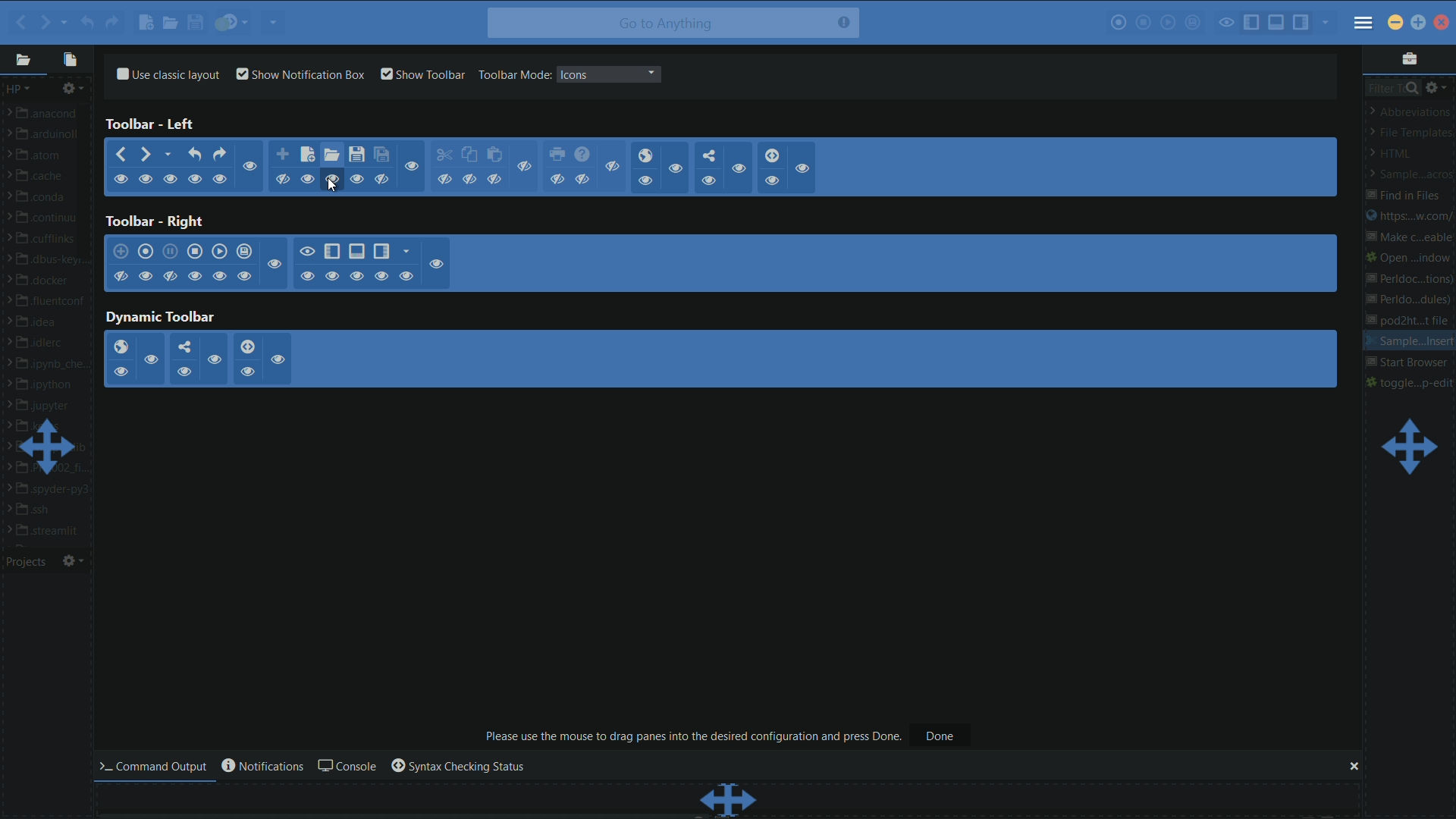  What do you see at coordinates (47, 282) in the screenshot?
I see `. docker` at bounding box center [47, 282].